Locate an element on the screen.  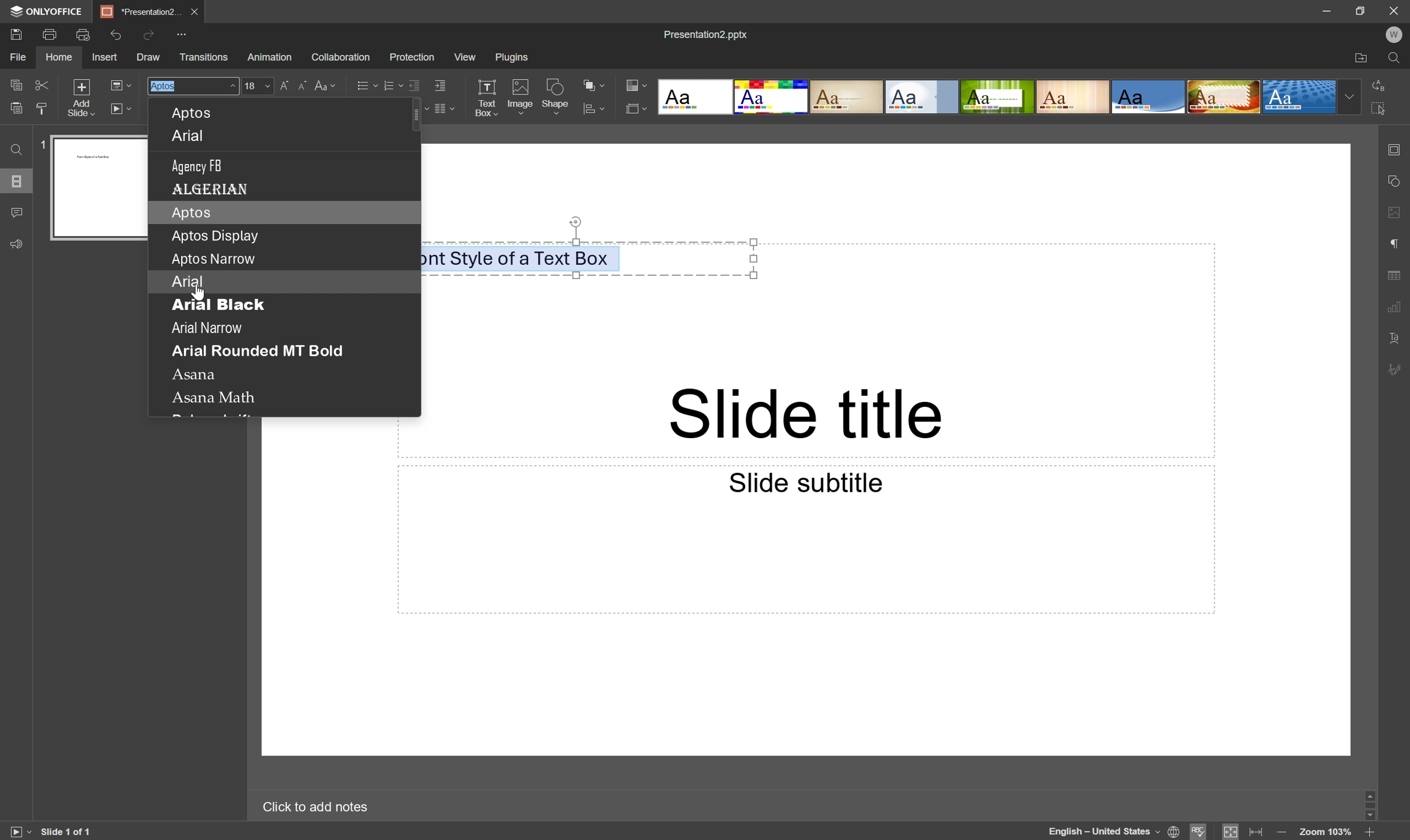
File is located at coordinates (19, 57).